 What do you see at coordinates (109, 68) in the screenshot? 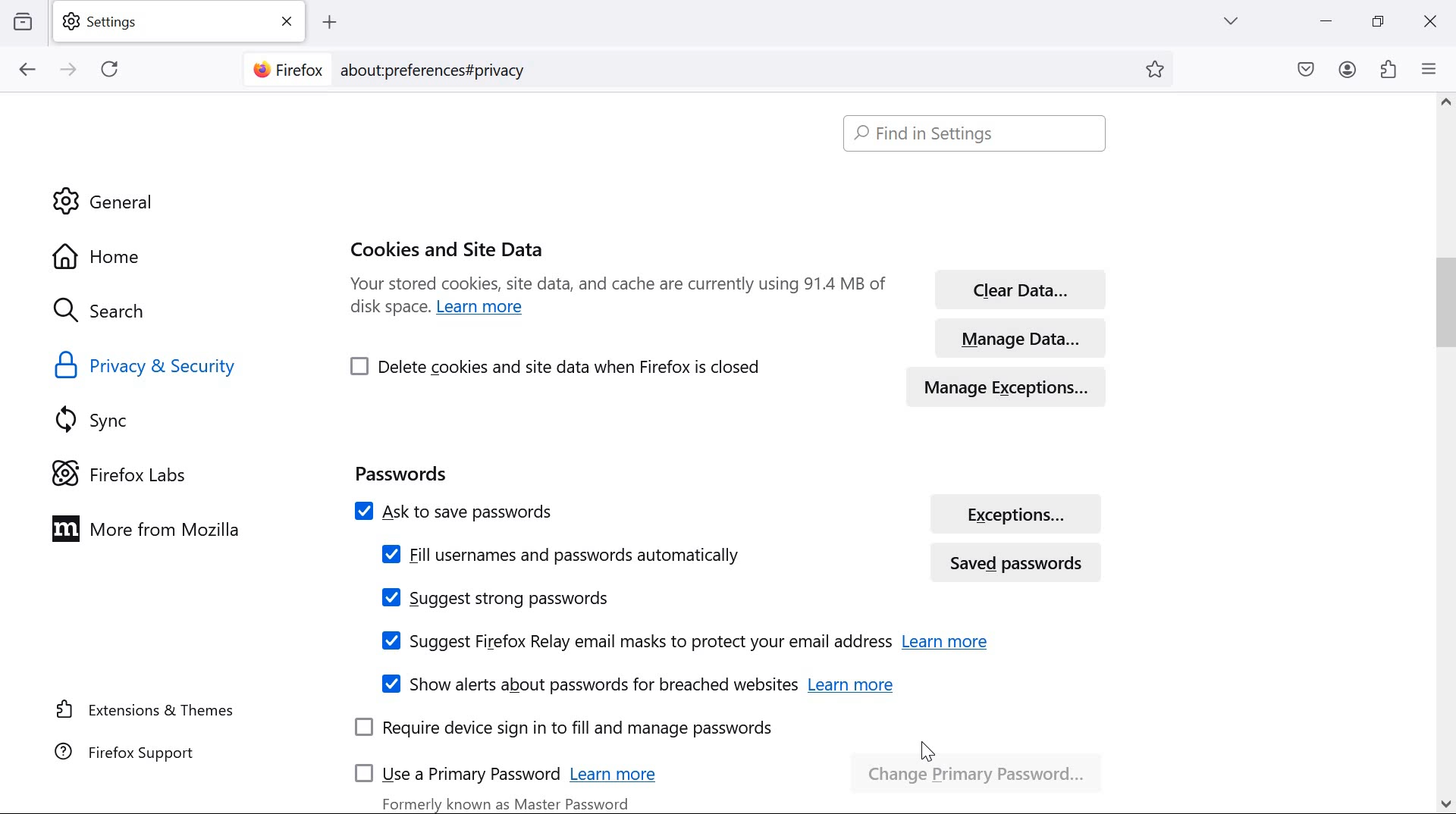
I see `reload` at bounding box center [109, 68].